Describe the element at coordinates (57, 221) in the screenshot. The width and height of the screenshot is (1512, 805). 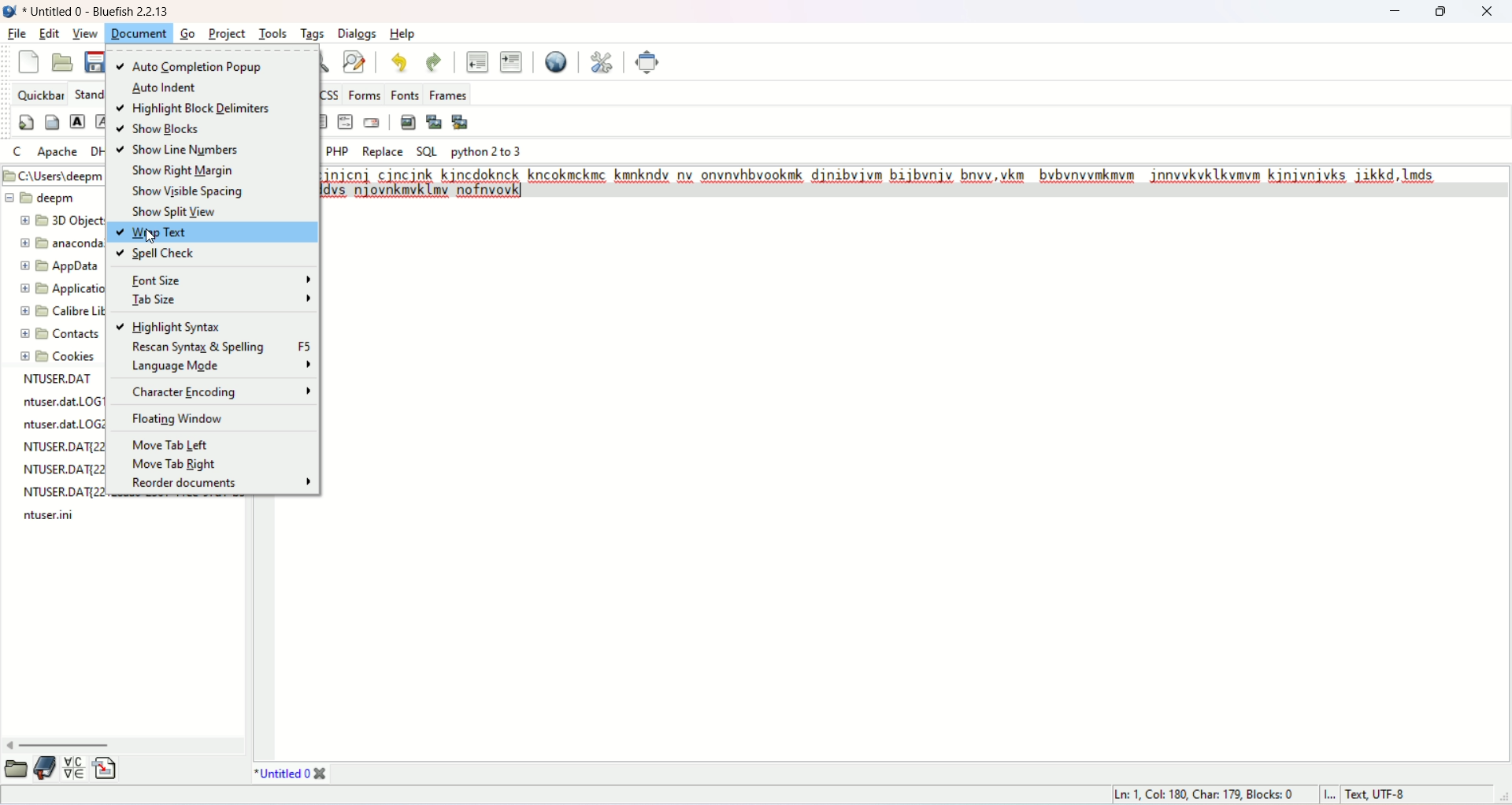
I see `3D object` at that location.